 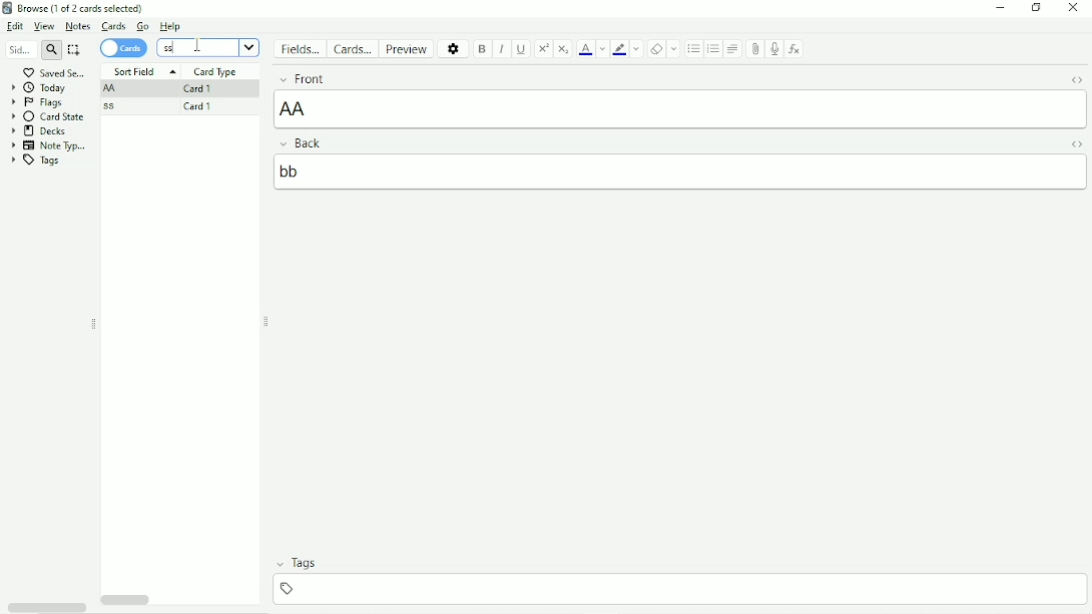 What do you see at coordinates (216, 71) in the screenshot?
I see `Card Type` at bounding box center [216, 71].